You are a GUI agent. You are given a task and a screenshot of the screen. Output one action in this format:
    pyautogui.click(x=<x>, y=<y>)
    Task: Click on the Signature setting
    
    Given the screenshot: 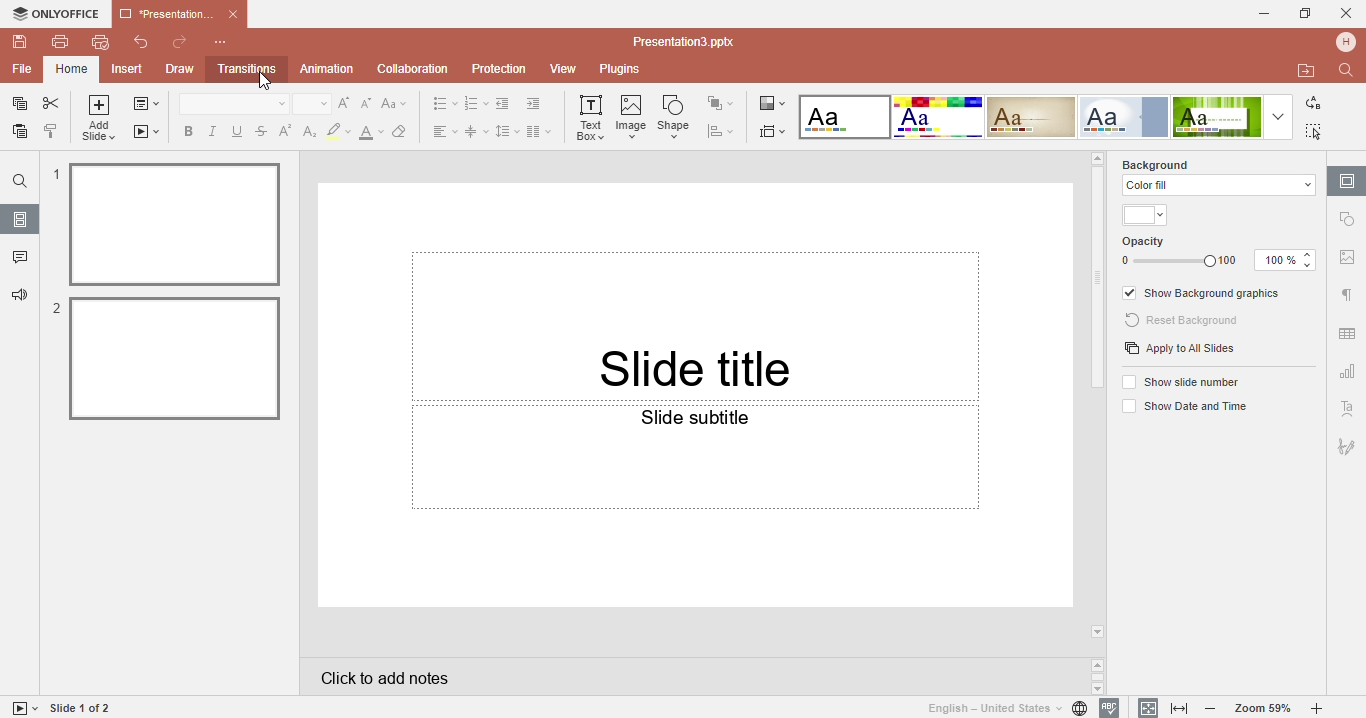 What is the action you would take?
    pyautogui.click(x=1346, y=443)
    